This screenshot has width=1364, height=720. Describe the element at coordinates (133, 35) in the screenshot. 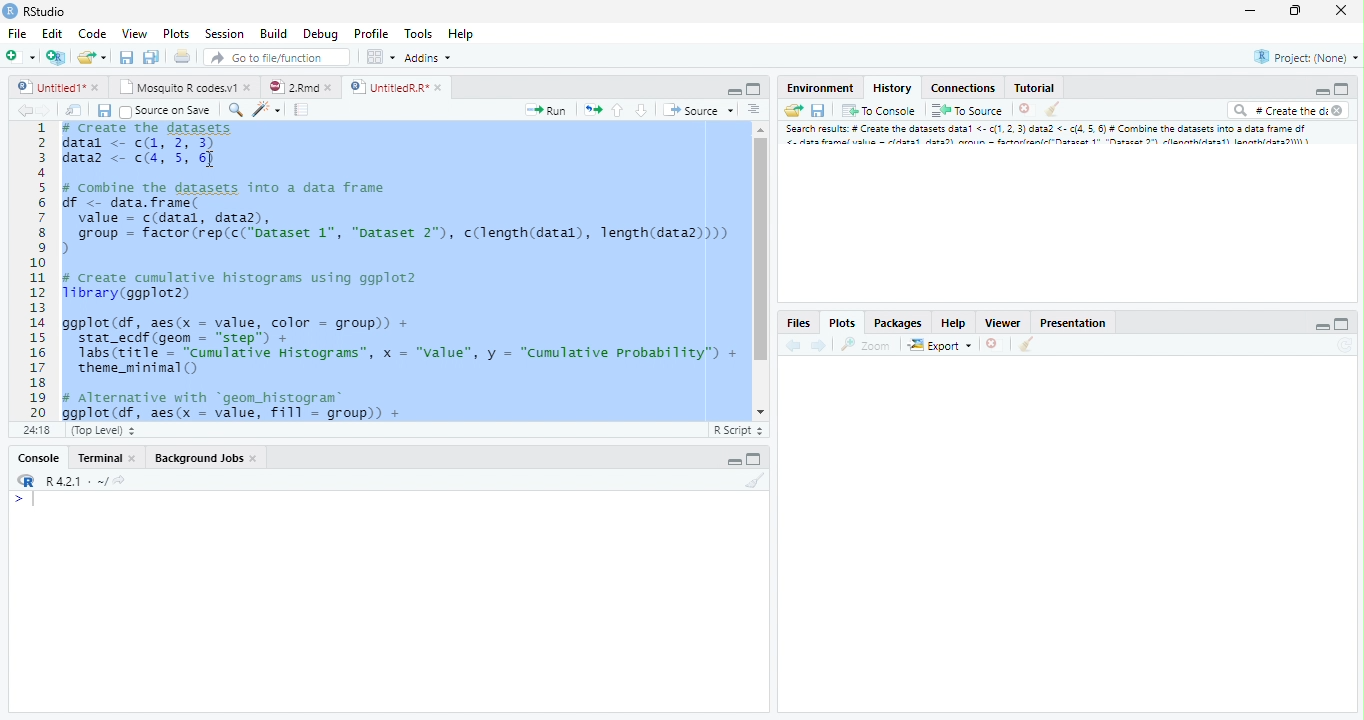

I see `View` at that location.